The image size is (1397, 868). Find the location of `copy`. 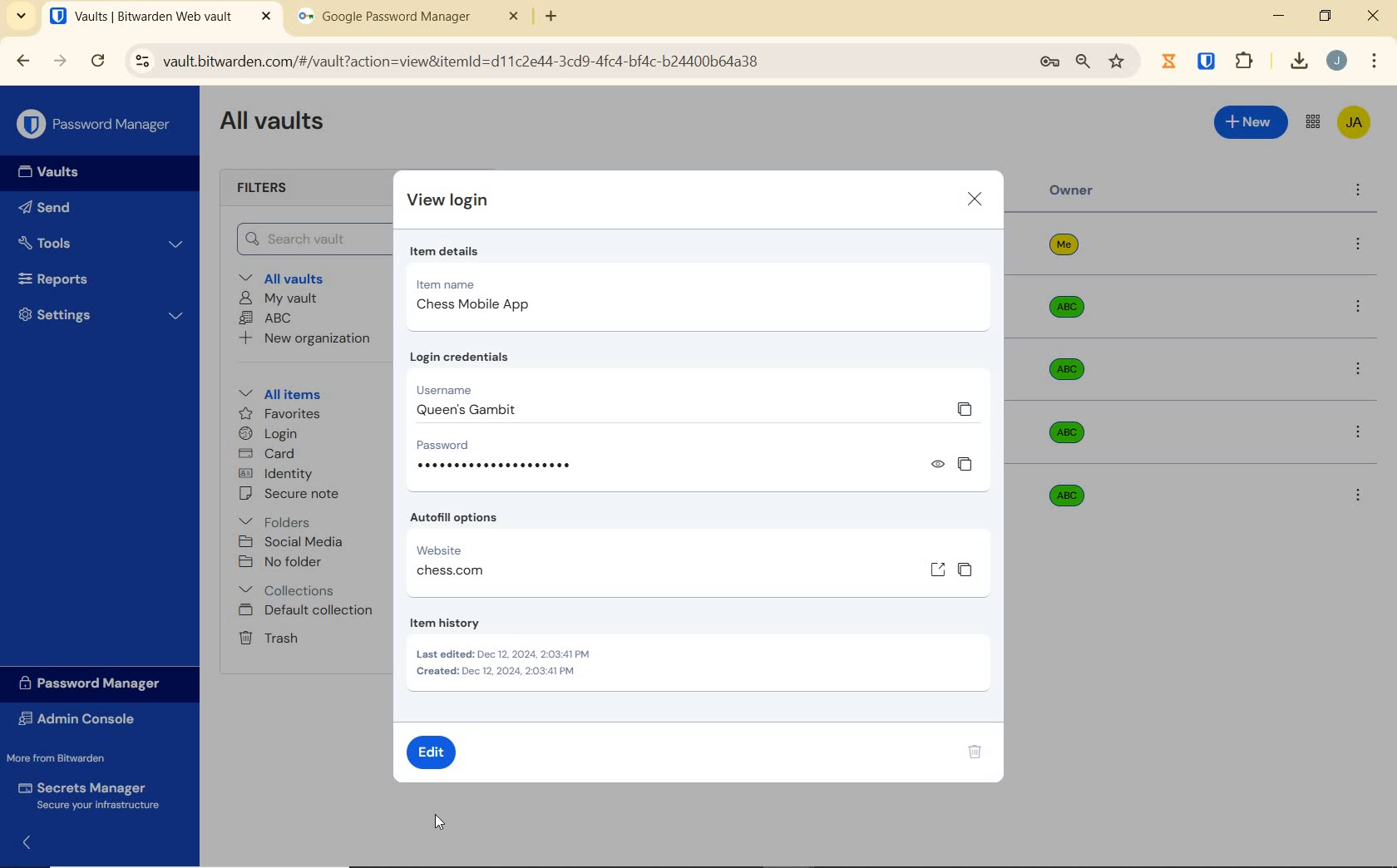

copy is located at coordinates (965, 462).